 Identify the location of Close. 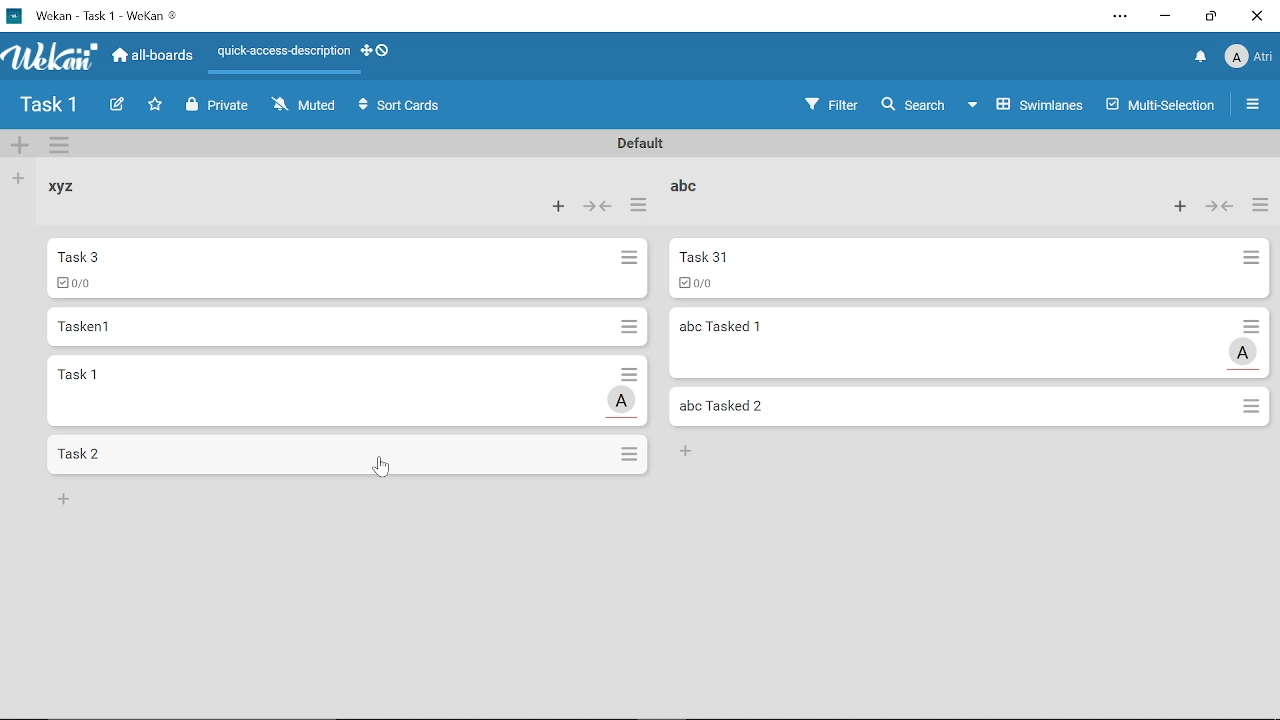
(1256, 16).